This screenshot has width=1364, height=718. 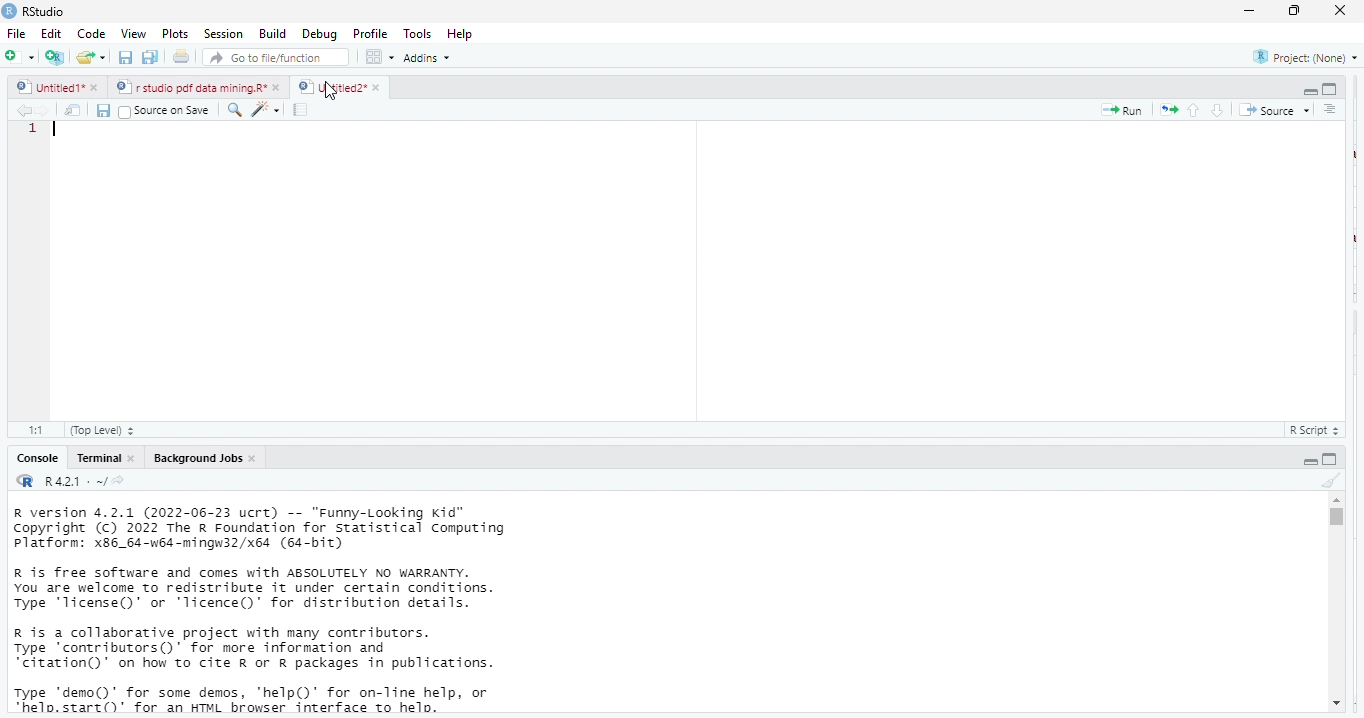 I want to click on go to previous section/chunk, so click(x=1192, y=110).